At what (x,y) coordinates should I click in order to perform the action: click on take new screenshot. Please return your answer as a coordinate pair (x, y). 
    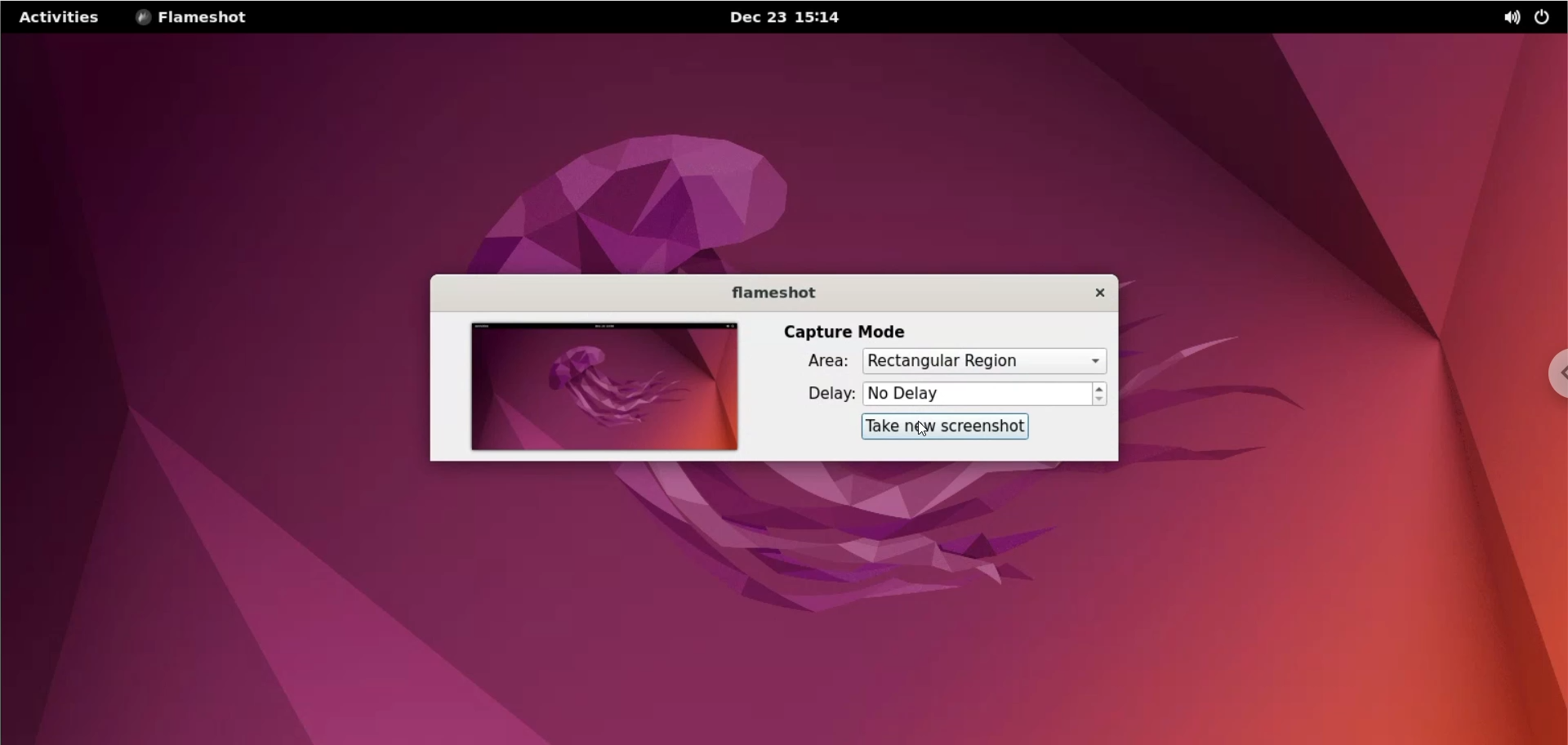
    Looking at the image, I should click on (947, 426).